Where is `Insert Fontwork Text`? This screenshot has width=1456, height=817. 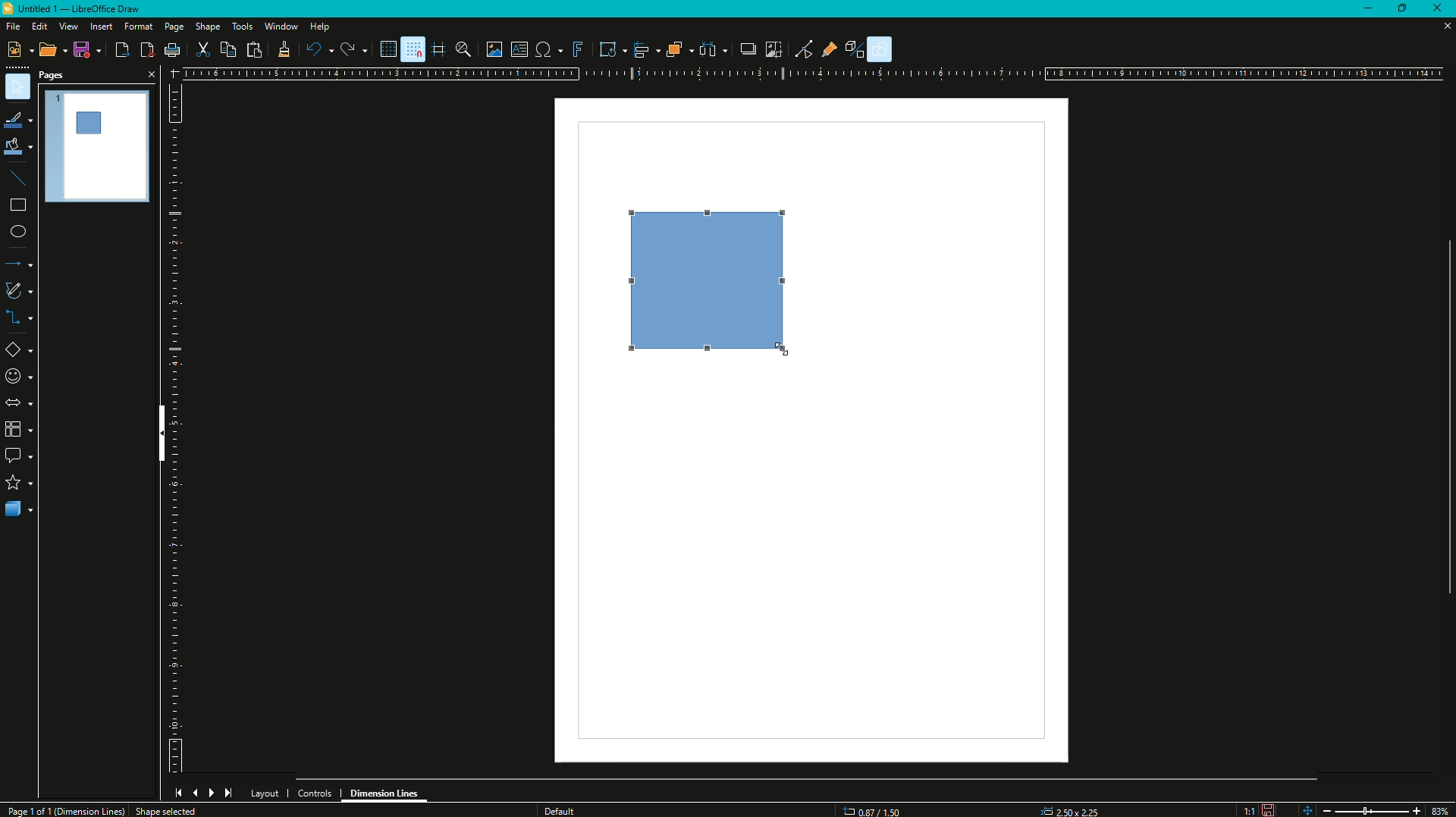 Insert Fontwork Text is located at coordinates (576, 49).